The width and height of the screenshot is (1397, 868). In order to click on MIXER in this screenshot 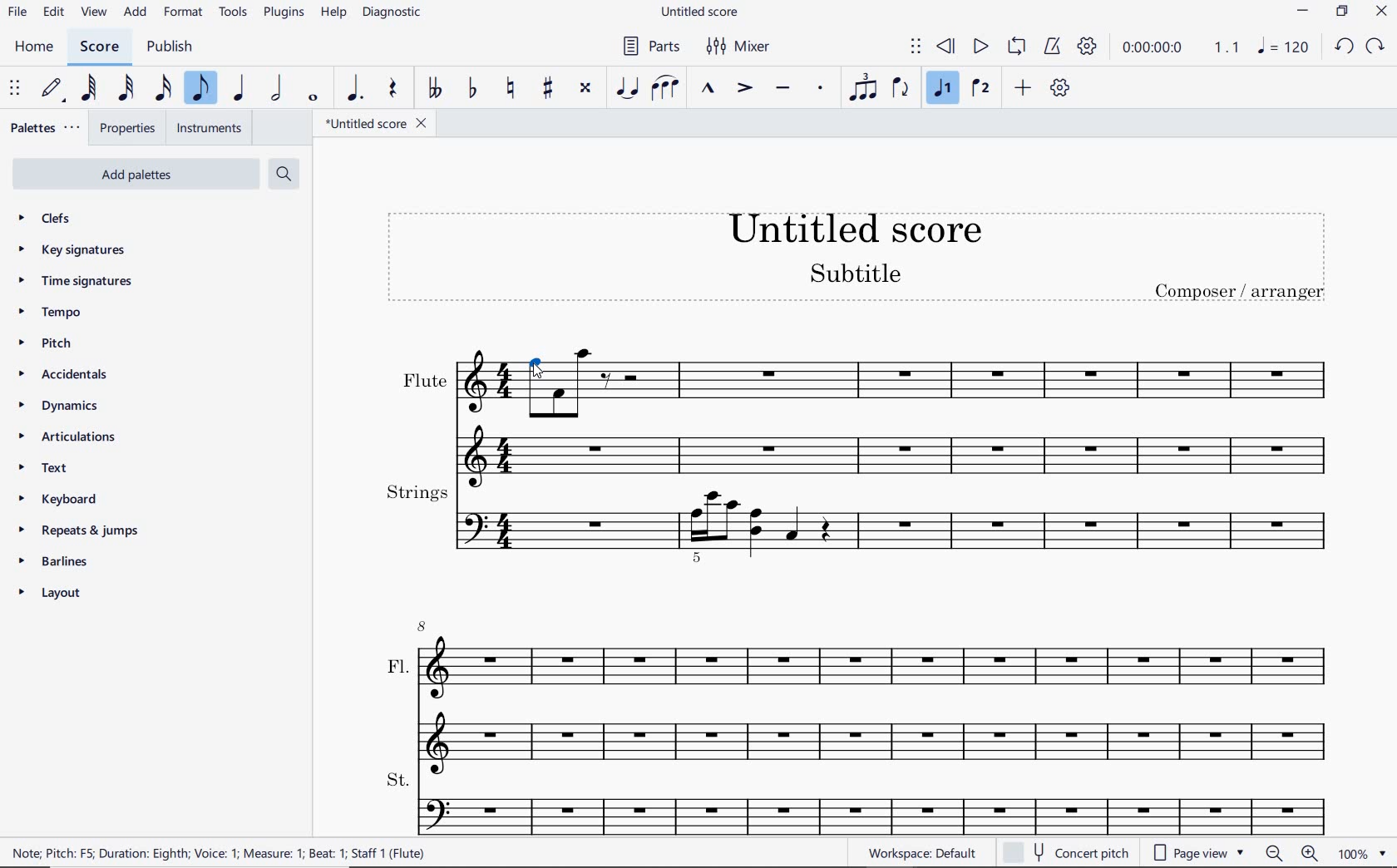, I will do `click(736, 47)`.